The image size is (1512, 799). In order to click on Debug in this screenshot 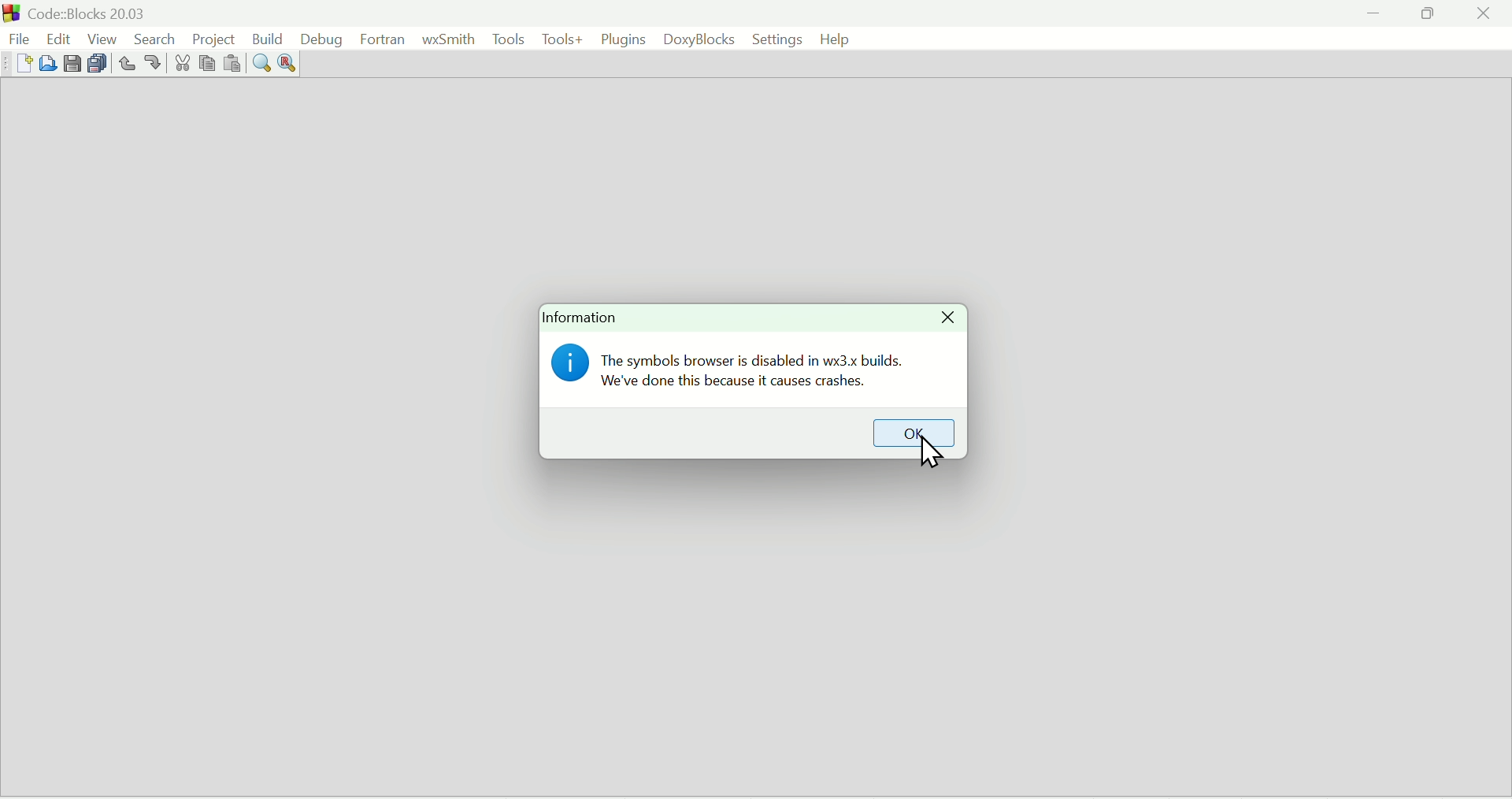, I will do `click(320, 39)`.